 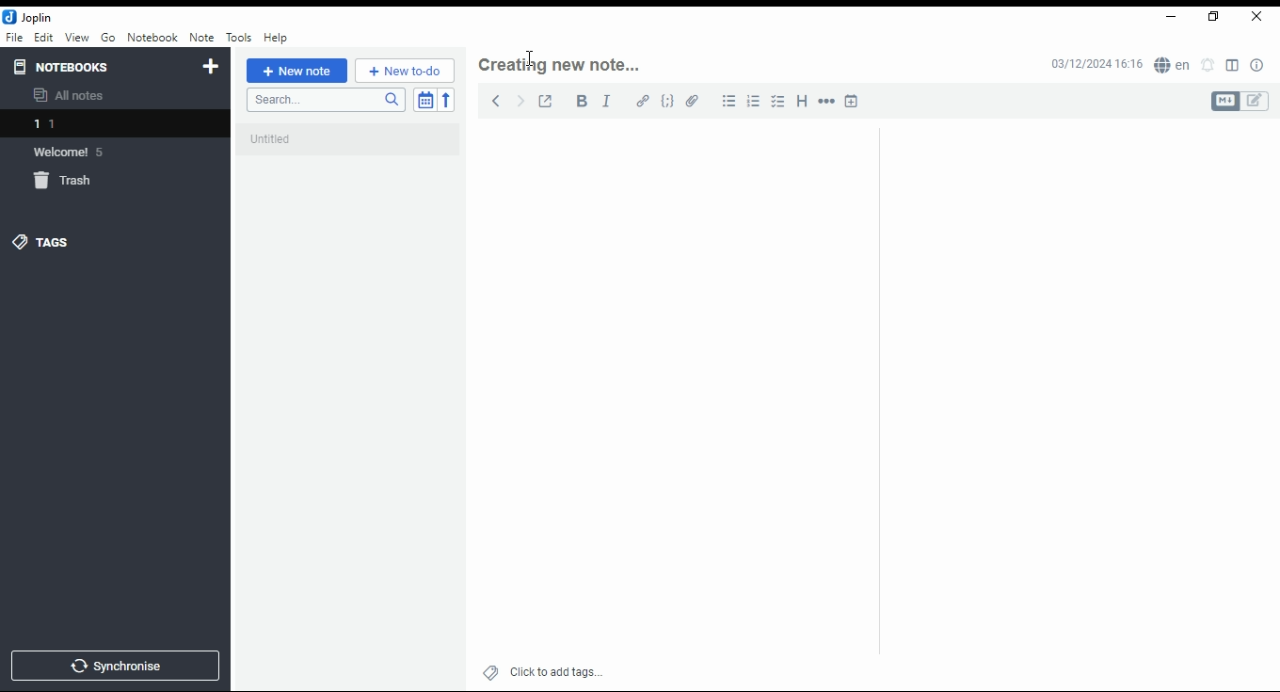 I want to click on file, so click(x=14, y=36).